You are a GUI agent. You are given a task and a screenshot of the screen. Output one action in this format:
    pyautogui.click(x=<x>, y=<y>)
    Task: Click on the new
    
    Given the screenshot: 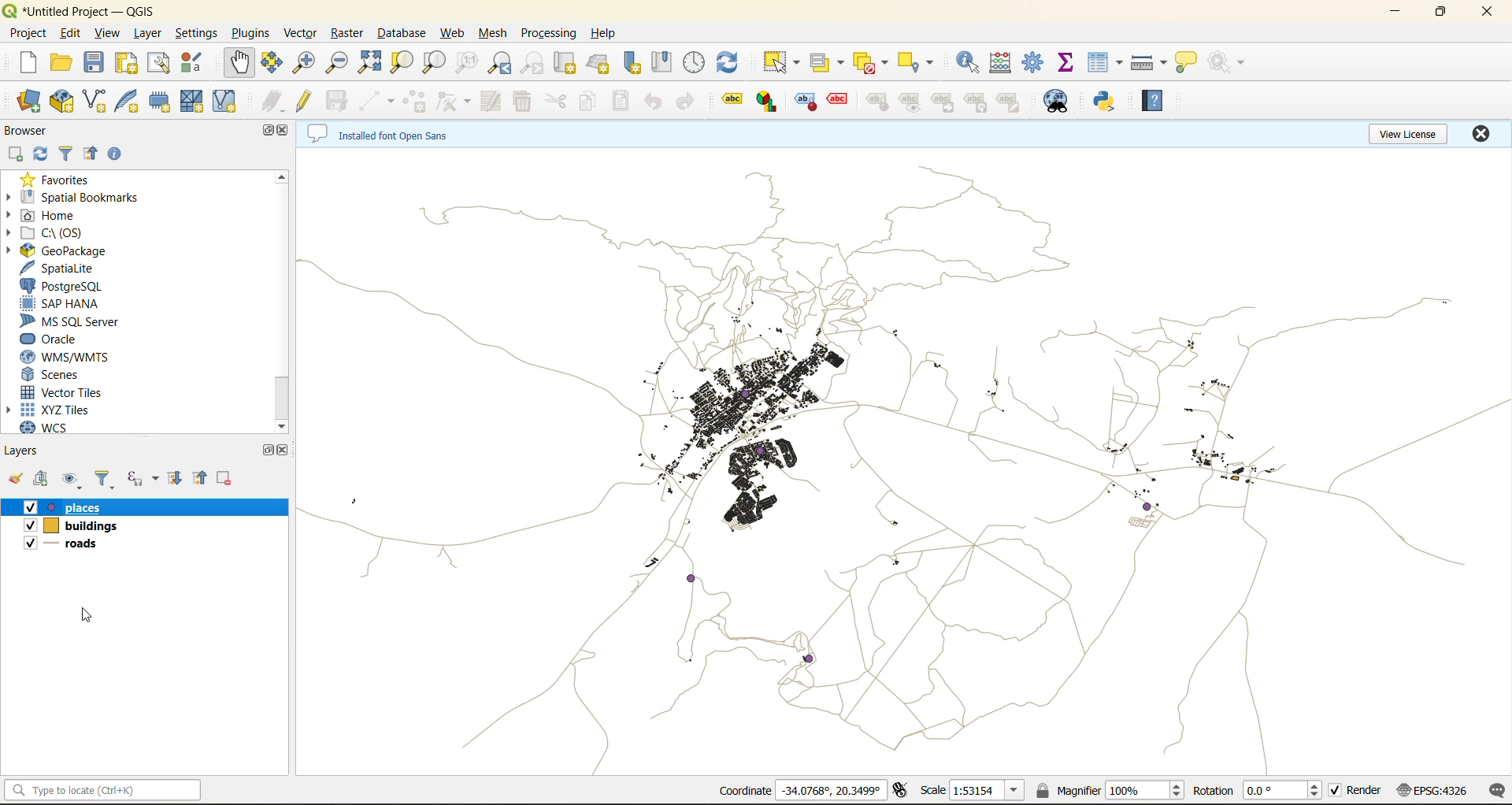 What is the action you would take?
    pyautogui.click(x=26, y=62)
    